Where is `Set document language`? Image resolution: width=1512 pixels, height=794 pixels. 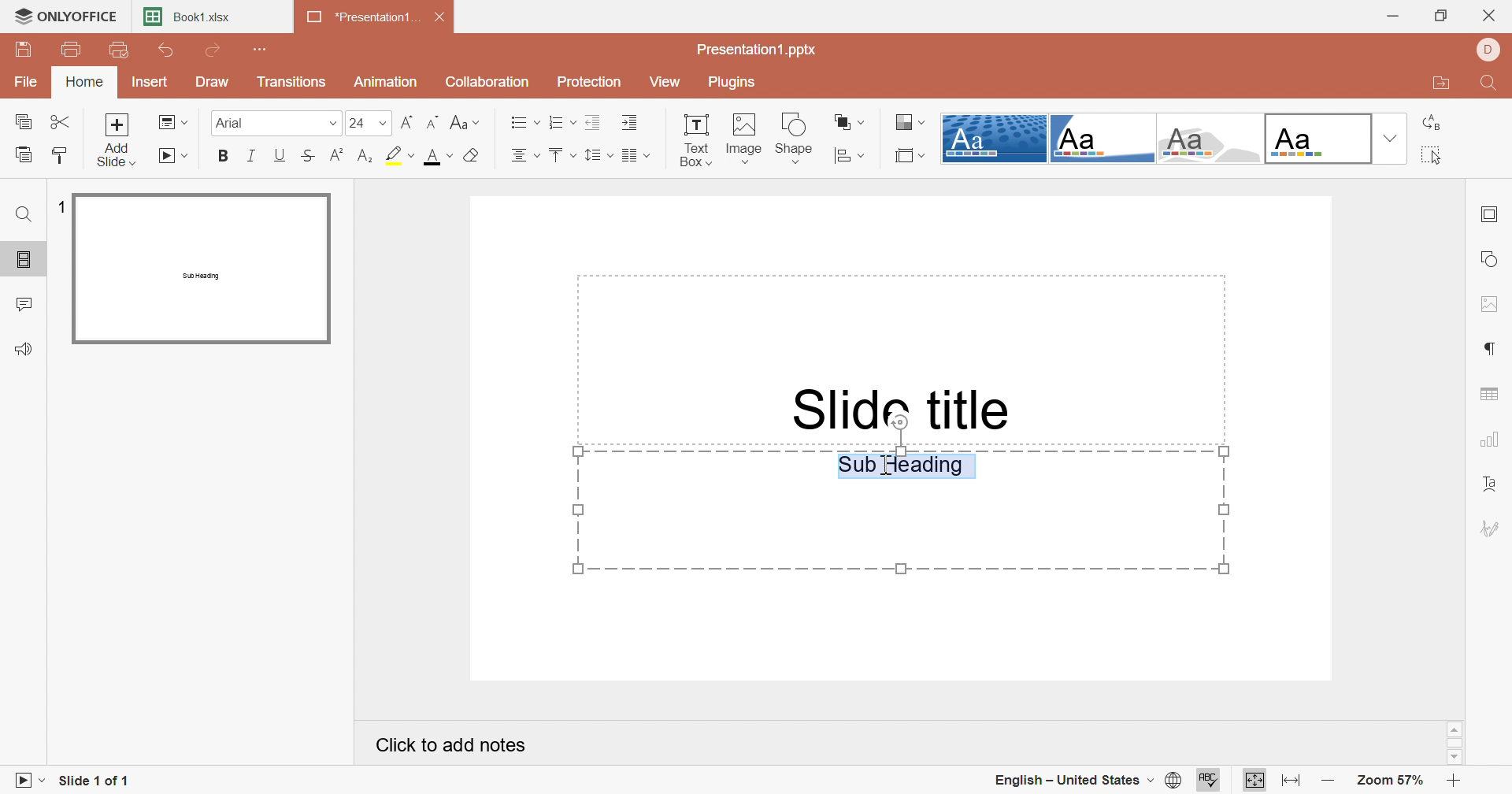 Set document language is located at coordinates (1174, 779).